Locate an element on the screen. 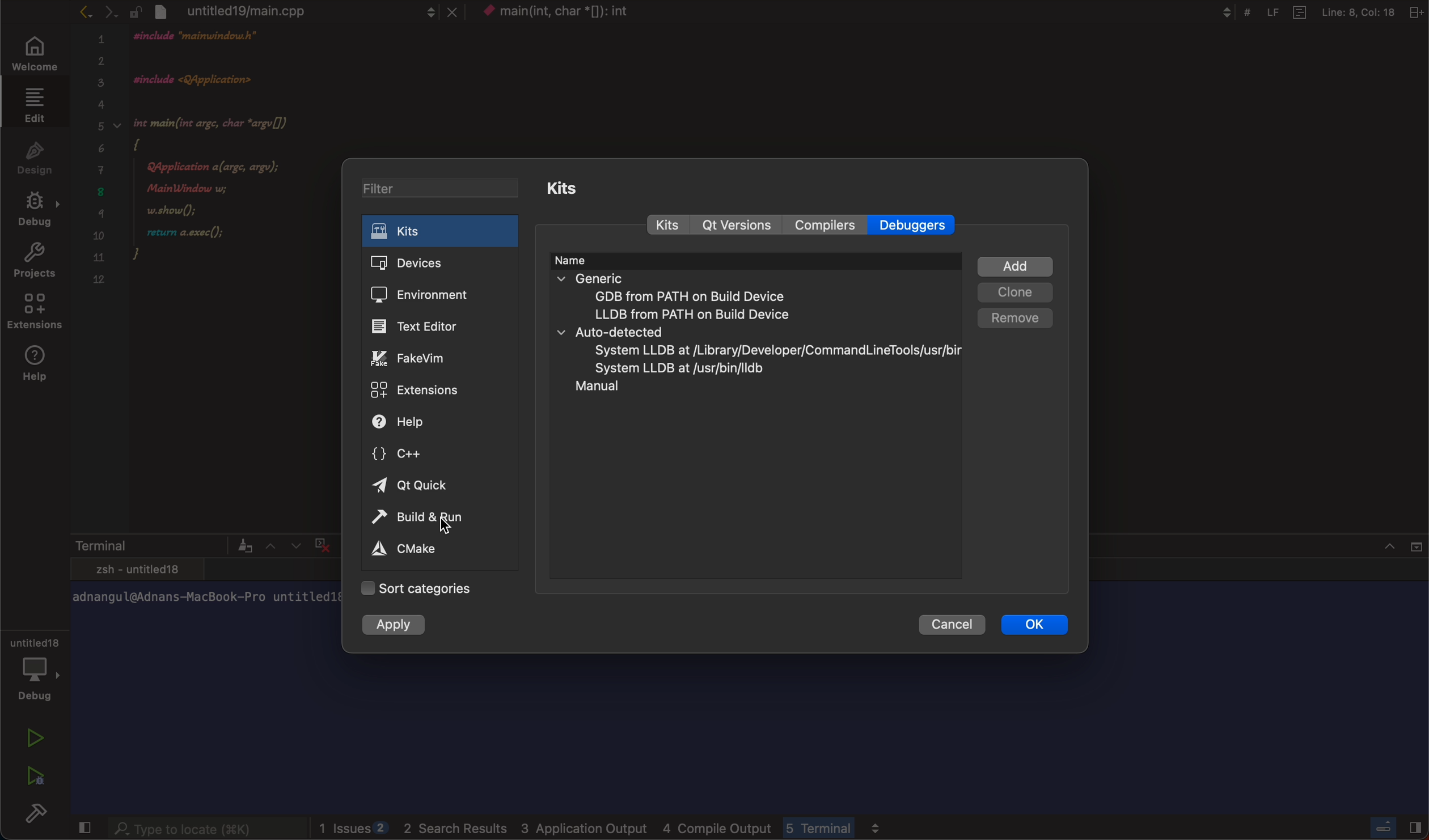 The width and height of the screenshot is (1429, 840). arrows is located at coordinates (91, 14).